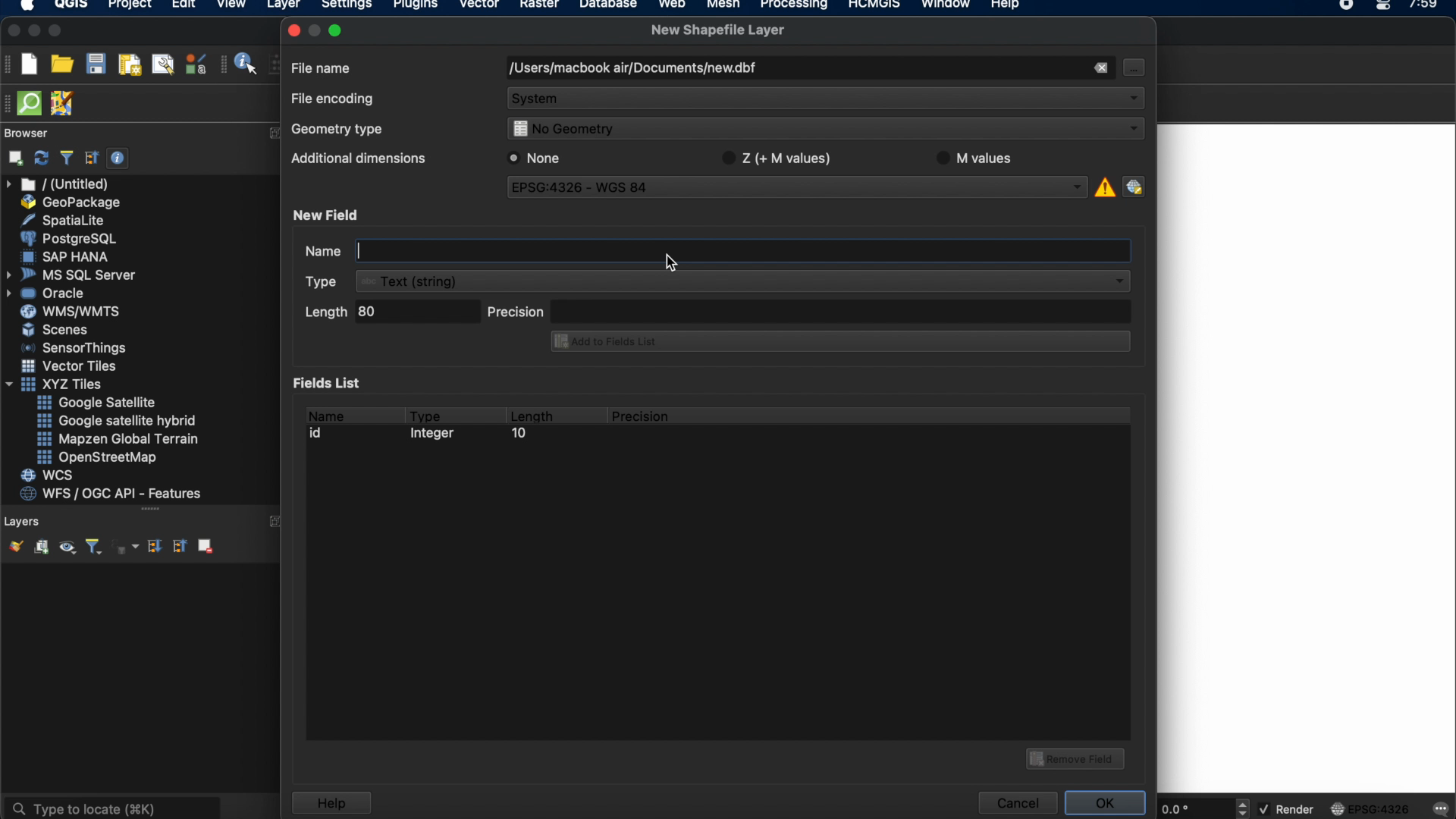 Image resolution: width=1456 pixels, height=819 pixels. I want to click on current crs, so click(1370, 808).